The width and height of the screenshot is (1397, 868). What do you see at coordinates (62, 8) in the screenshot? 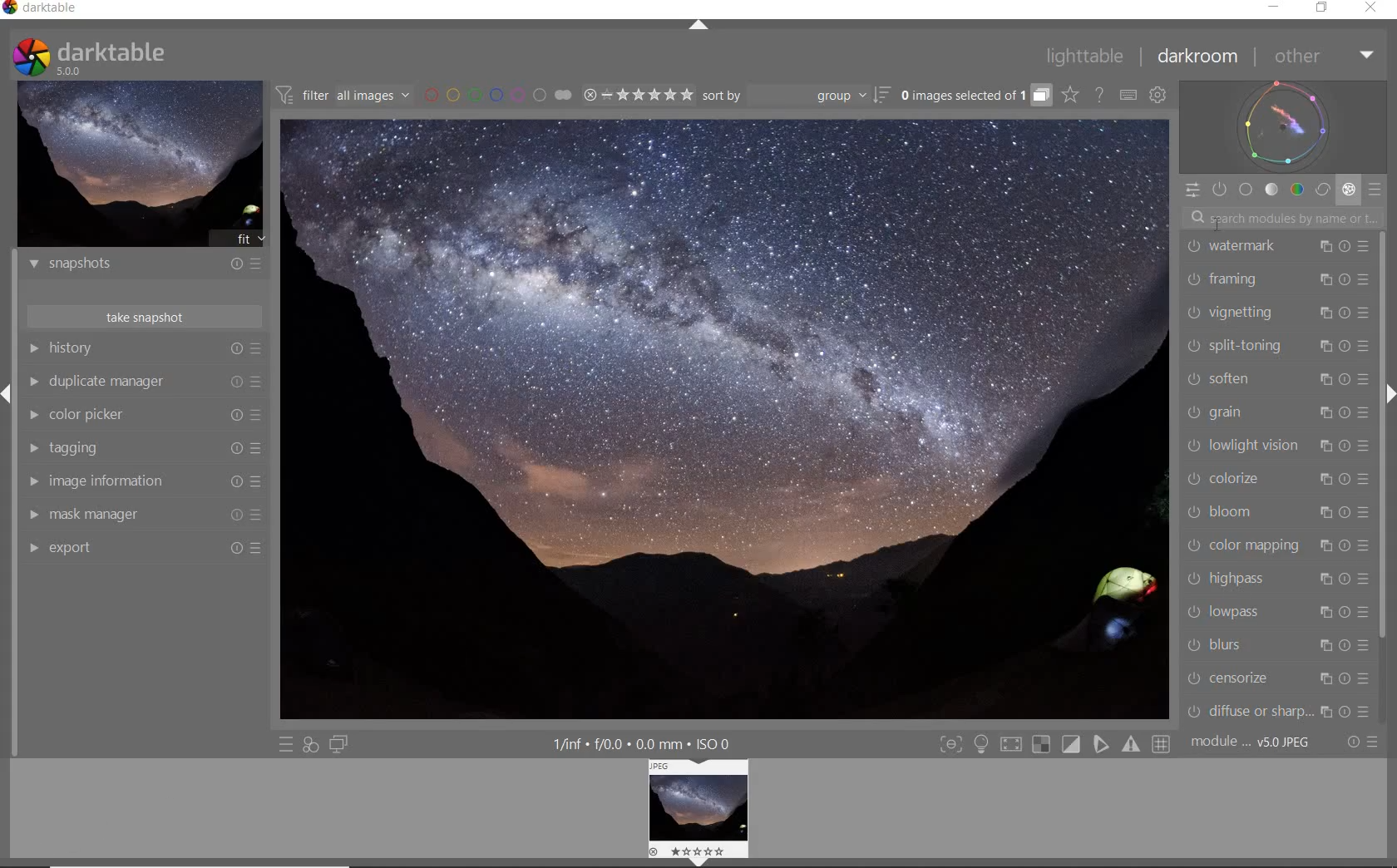
I see `darktable` at bounding box center [62, 8].